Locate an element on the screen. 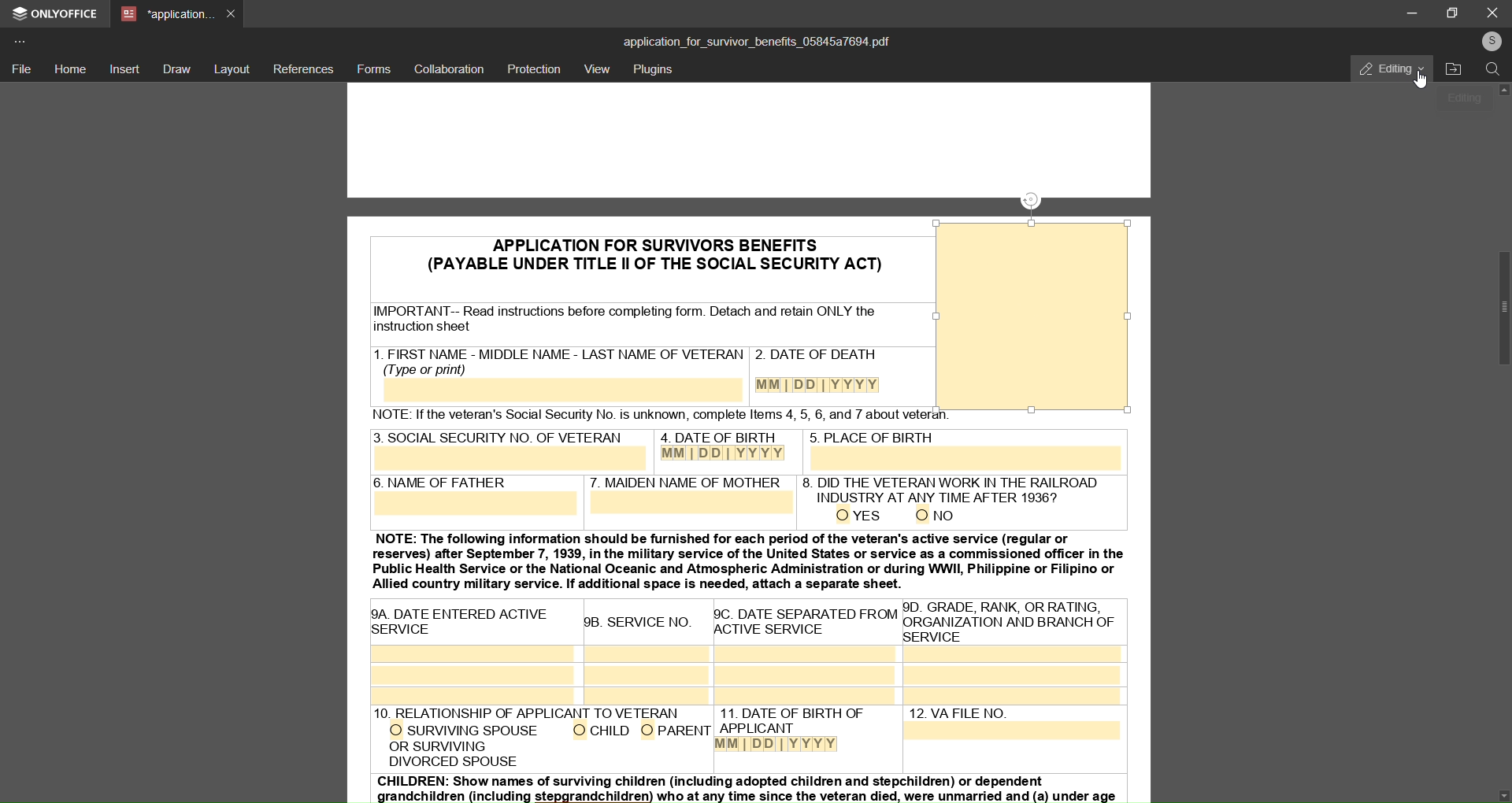 The image size is (1512, 803). tab name is located at coordinates (166, 15).